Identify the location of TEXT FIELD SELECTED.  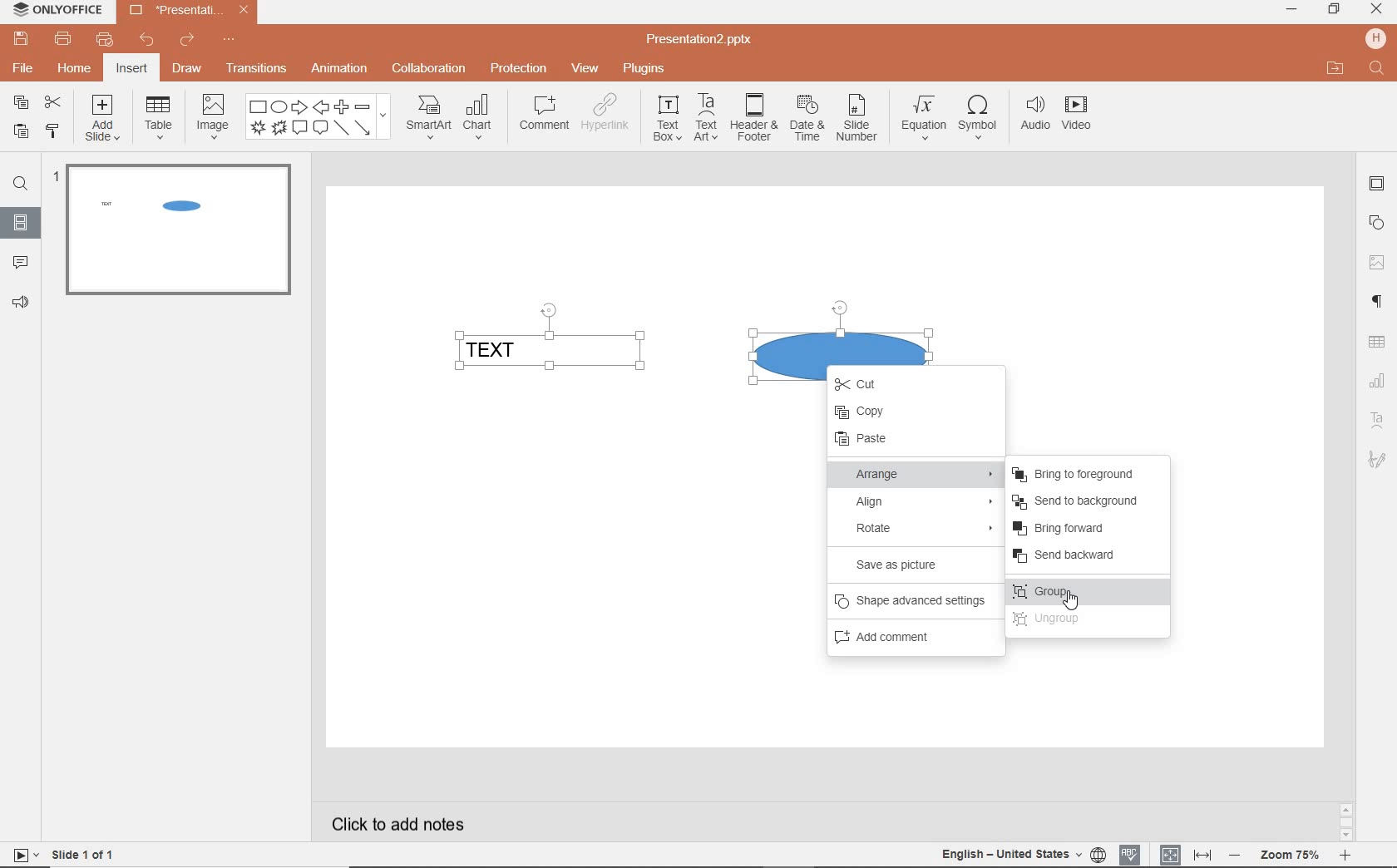
(550, 340).